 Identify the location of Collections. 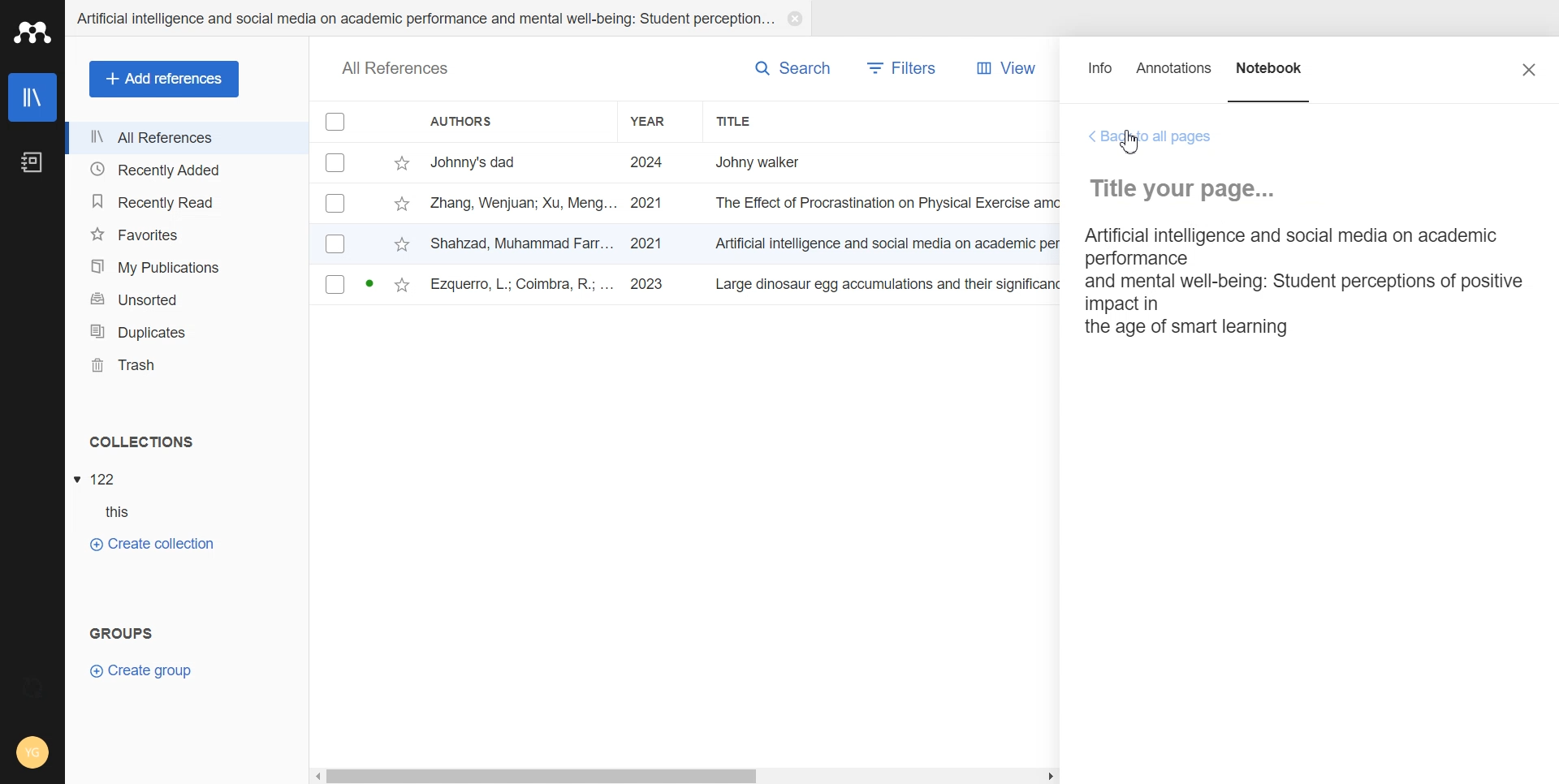
(188, 442).